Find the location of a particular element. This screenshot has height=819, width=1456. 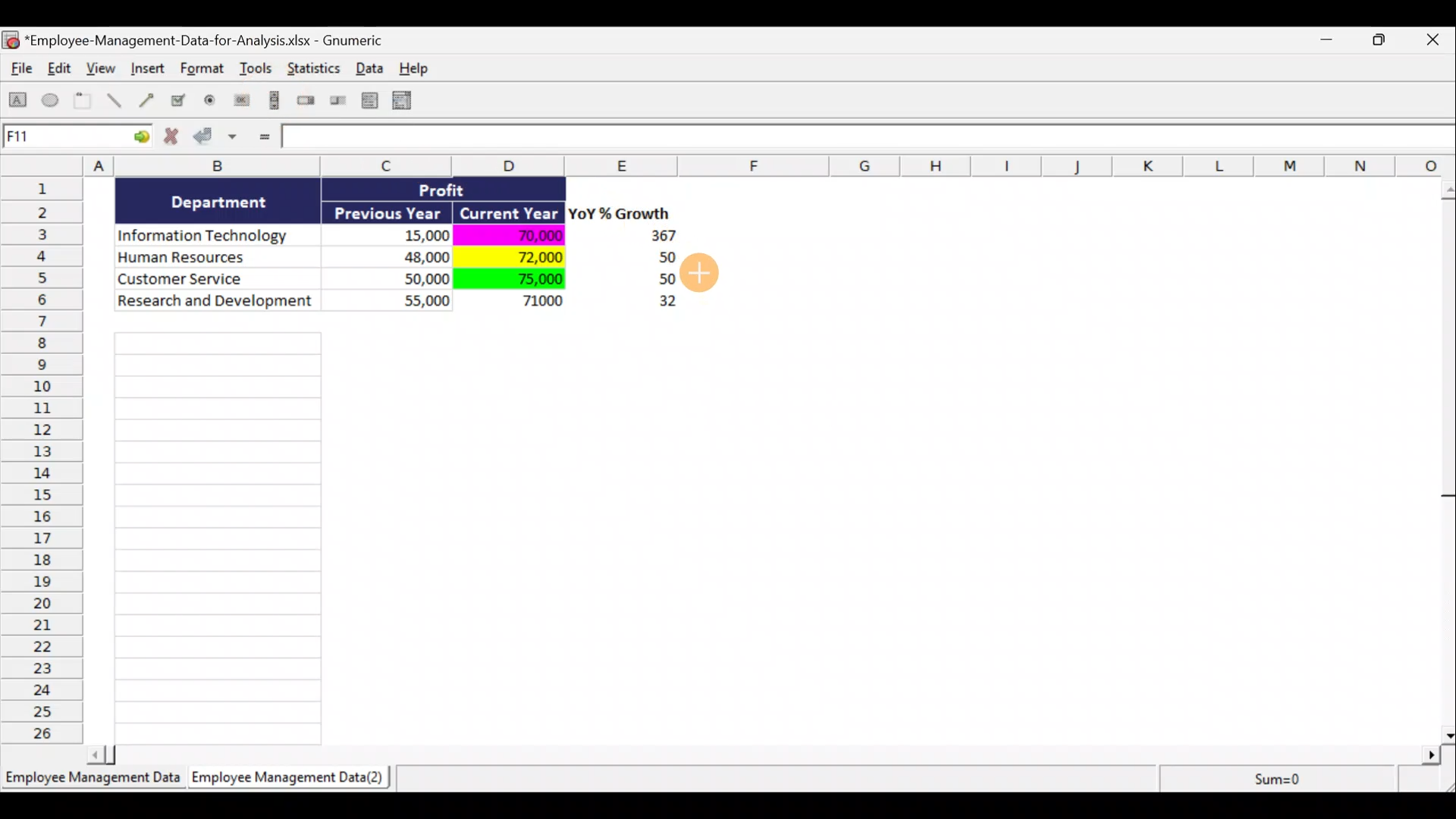

Maximise is located at coordinates (1387, 38).